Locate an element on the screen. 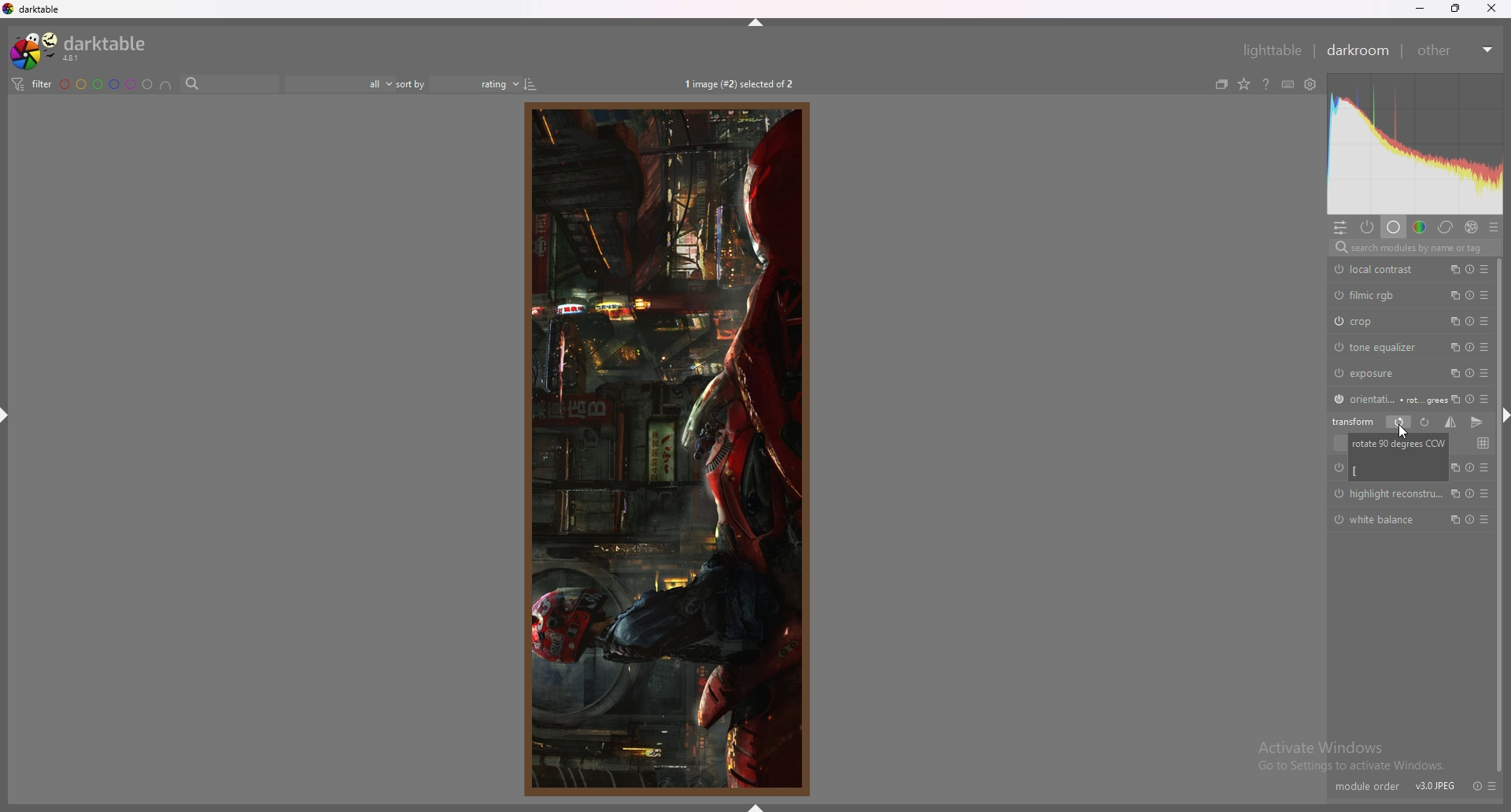  include color labels is located at coordinates (165, 84).